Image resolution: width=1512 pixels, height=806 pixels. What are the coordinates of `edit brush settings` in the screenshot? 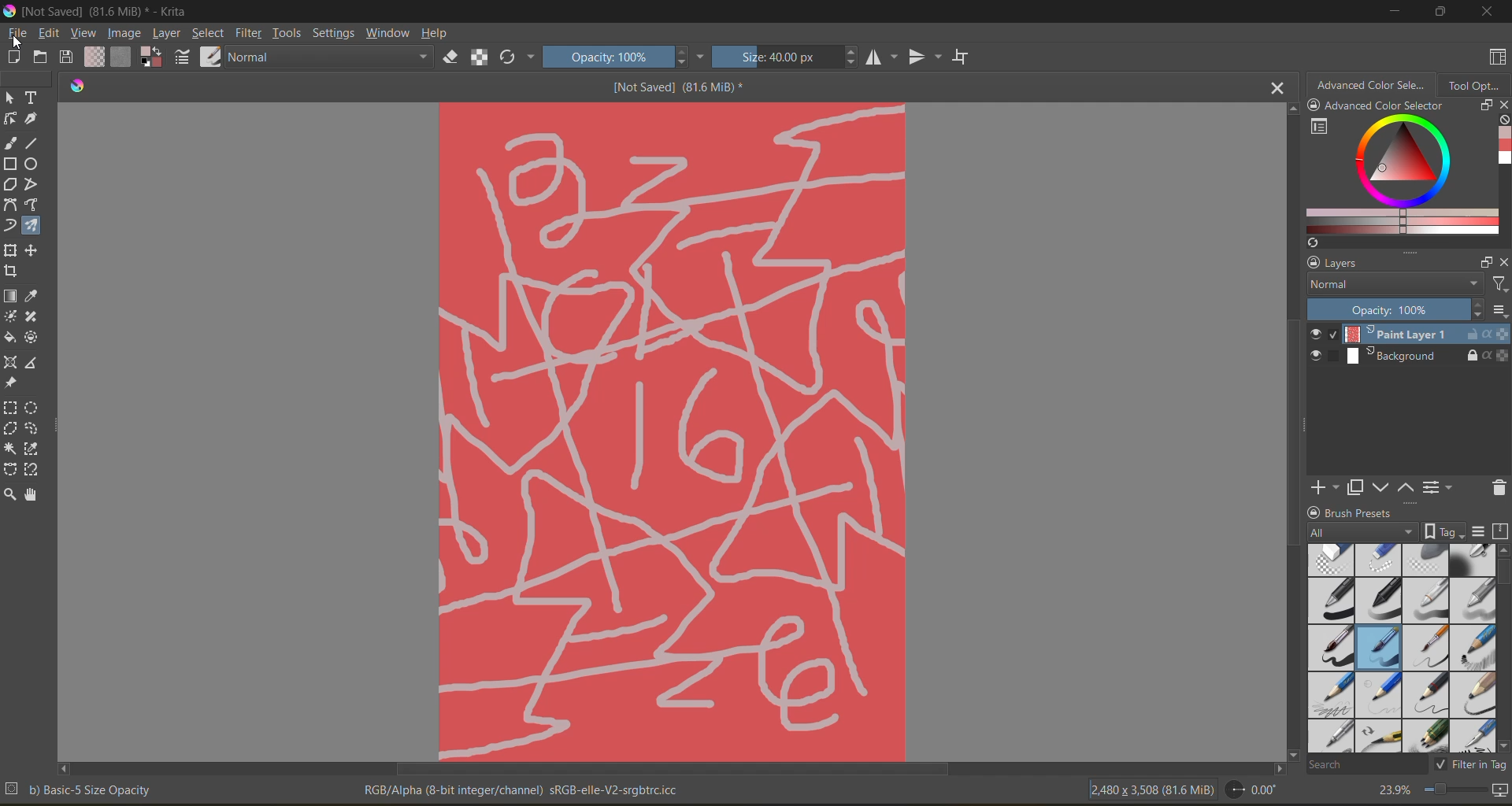 It's located at (182, 58).